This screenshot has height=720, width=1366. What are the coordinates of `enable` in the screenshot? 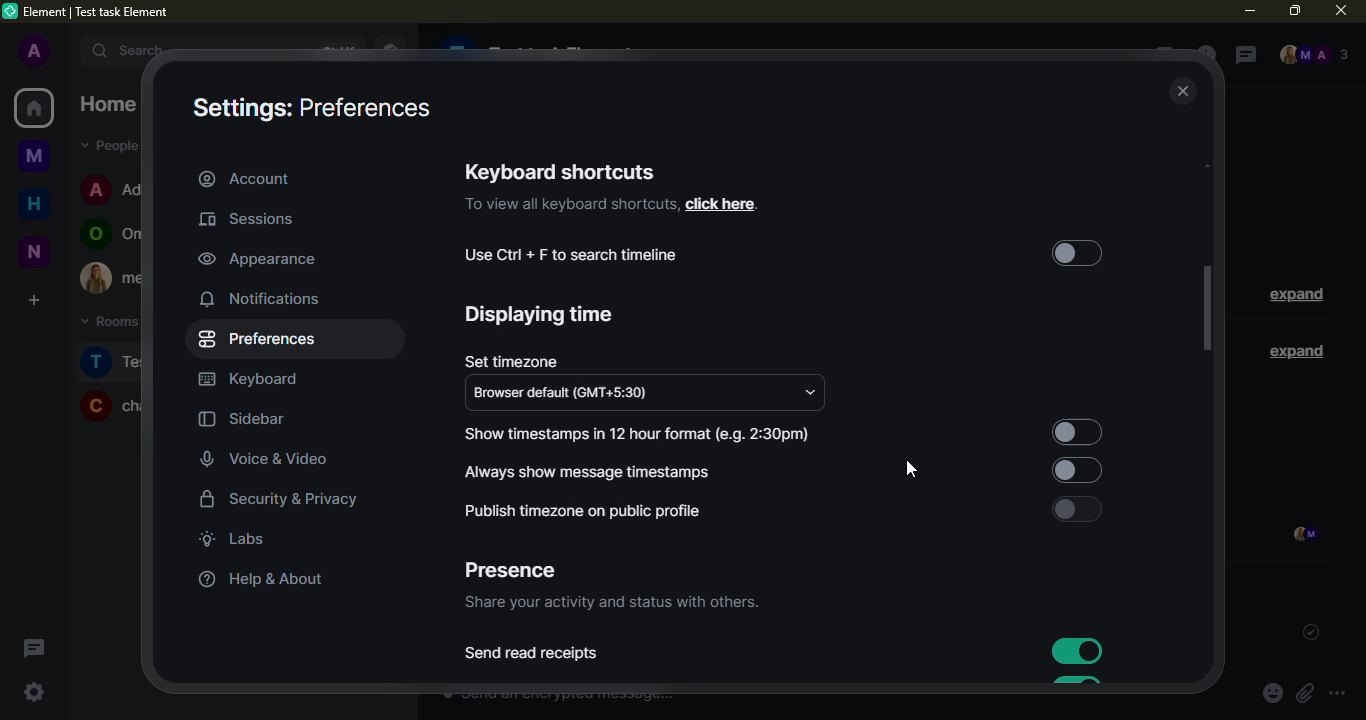 It's located at (1076, 509).